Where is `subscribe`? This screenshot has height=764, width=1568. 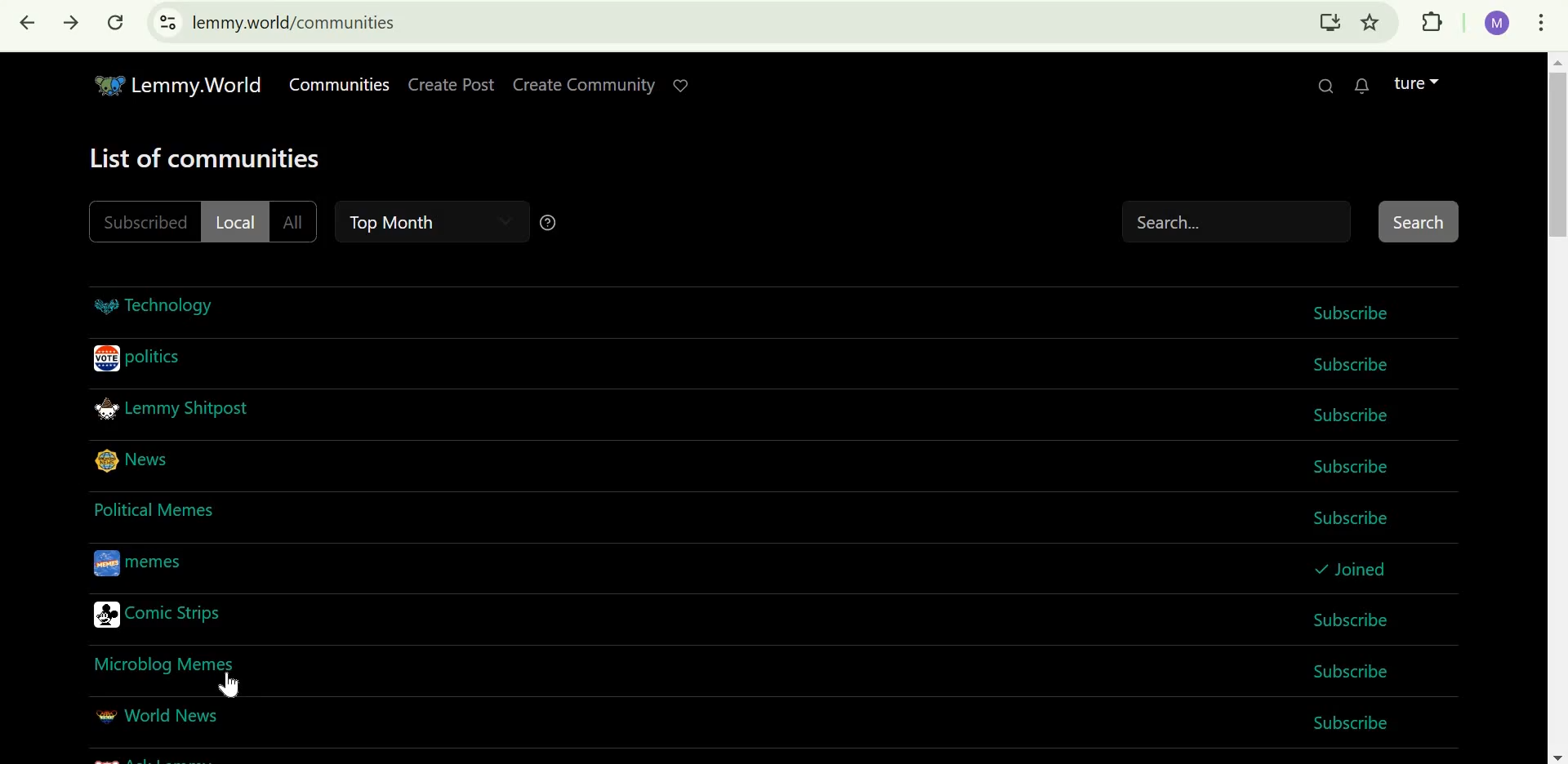 subscribe is located at coordinates (1349, 416).